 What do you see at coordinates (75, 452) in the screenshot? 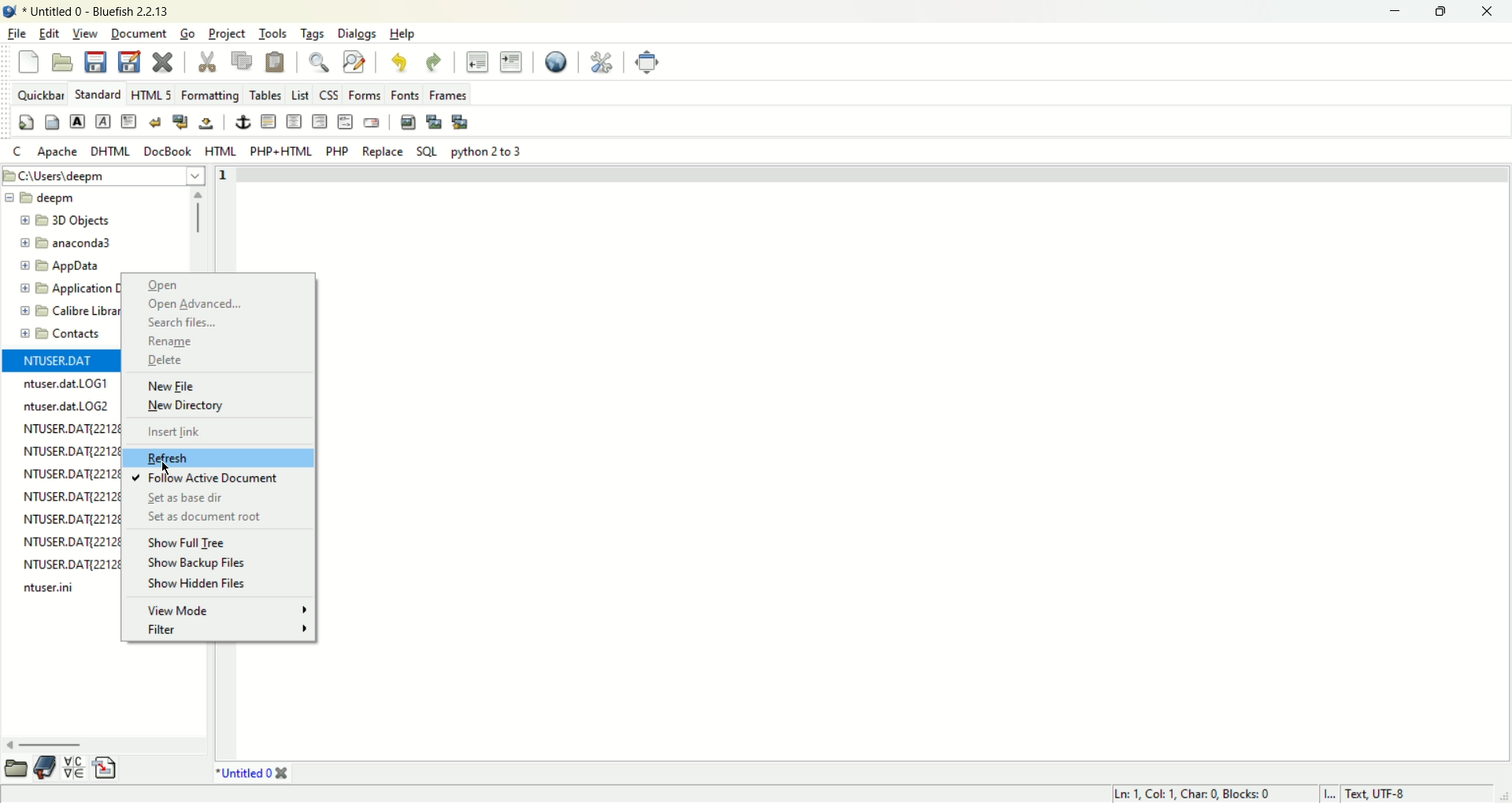
I see `NTUSER.DAT{2212829f-2361-11ee-9` at bounding box center [75, 452].